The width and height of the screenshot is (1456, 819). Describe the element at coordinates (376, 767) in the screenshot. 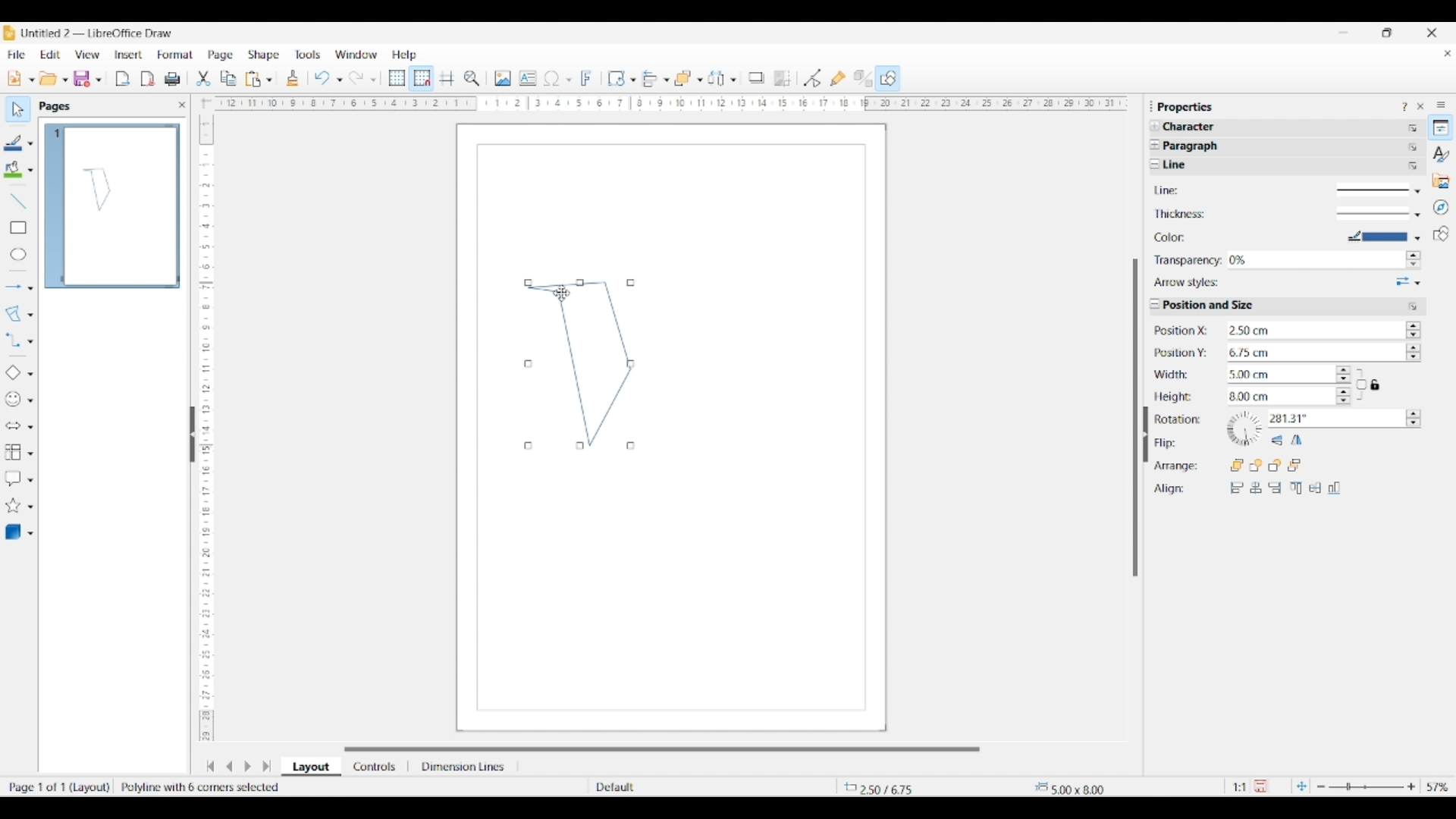

I see `Controls` at that location.